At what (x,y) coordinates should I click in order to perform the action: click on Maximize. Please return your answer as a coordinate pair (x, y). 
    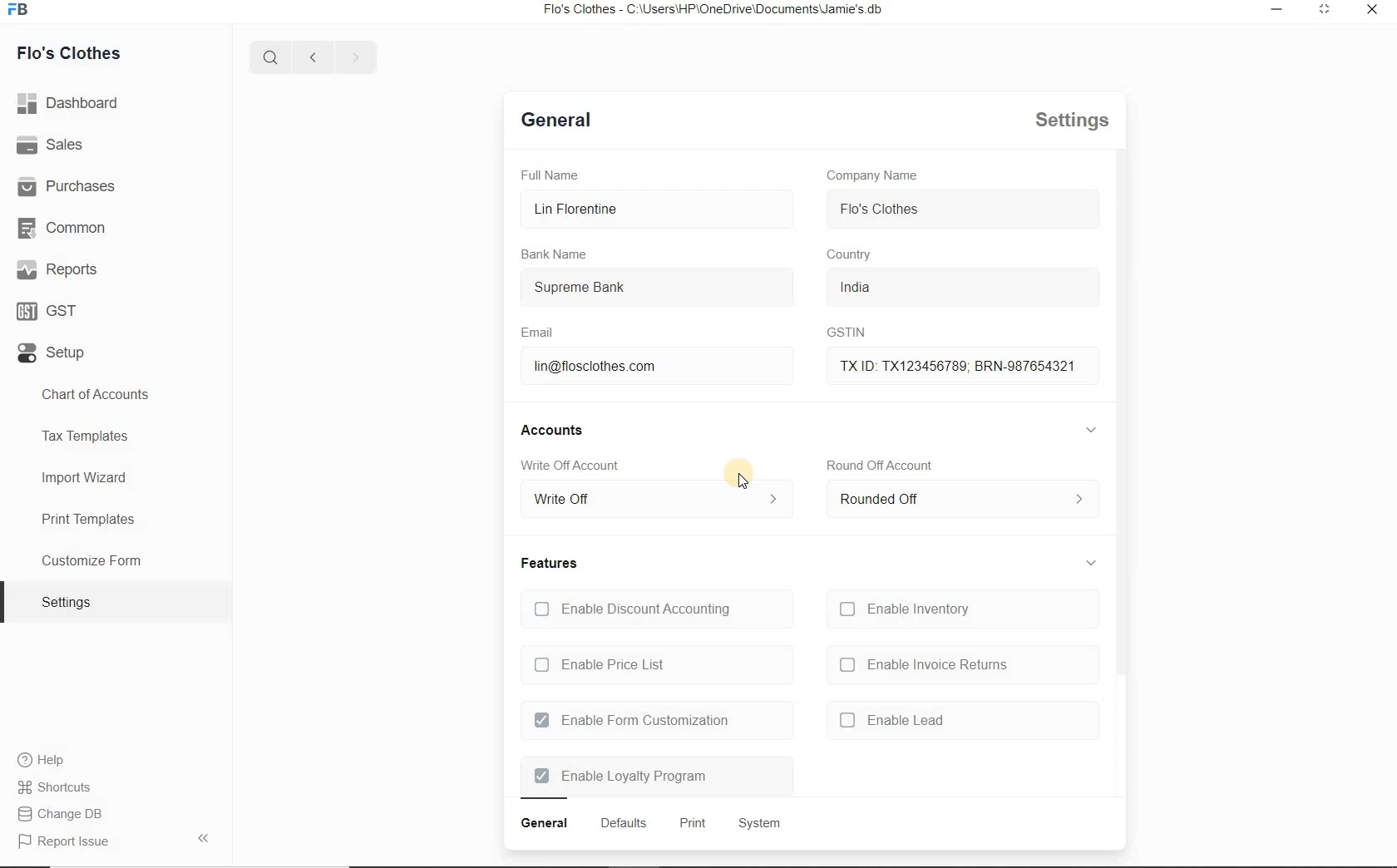
    Looking at the image, I should click on (1327, 10).